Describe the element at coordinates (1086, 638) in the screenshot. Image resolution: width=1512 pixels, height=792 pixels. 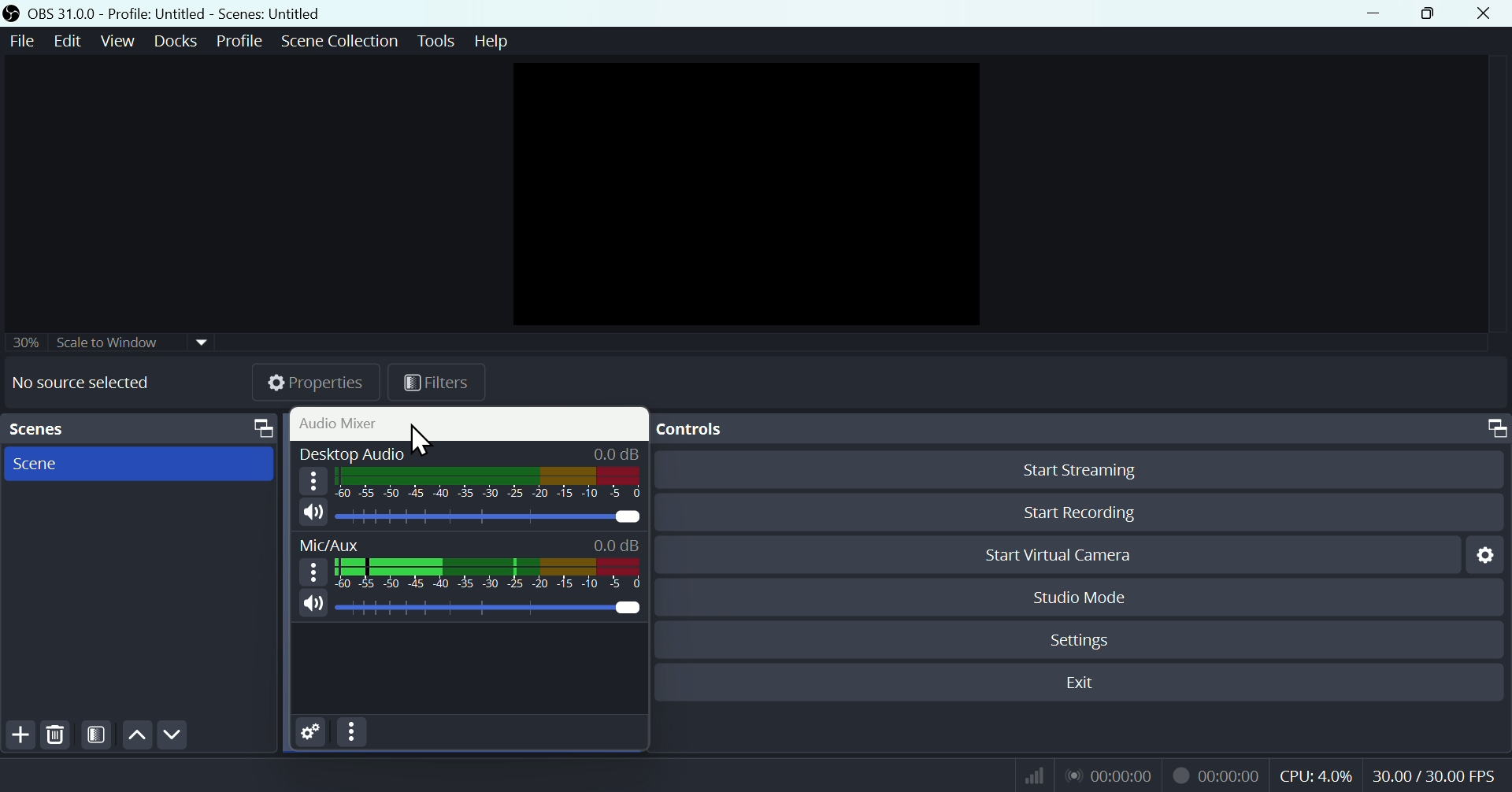
I see `Settings` at that location.